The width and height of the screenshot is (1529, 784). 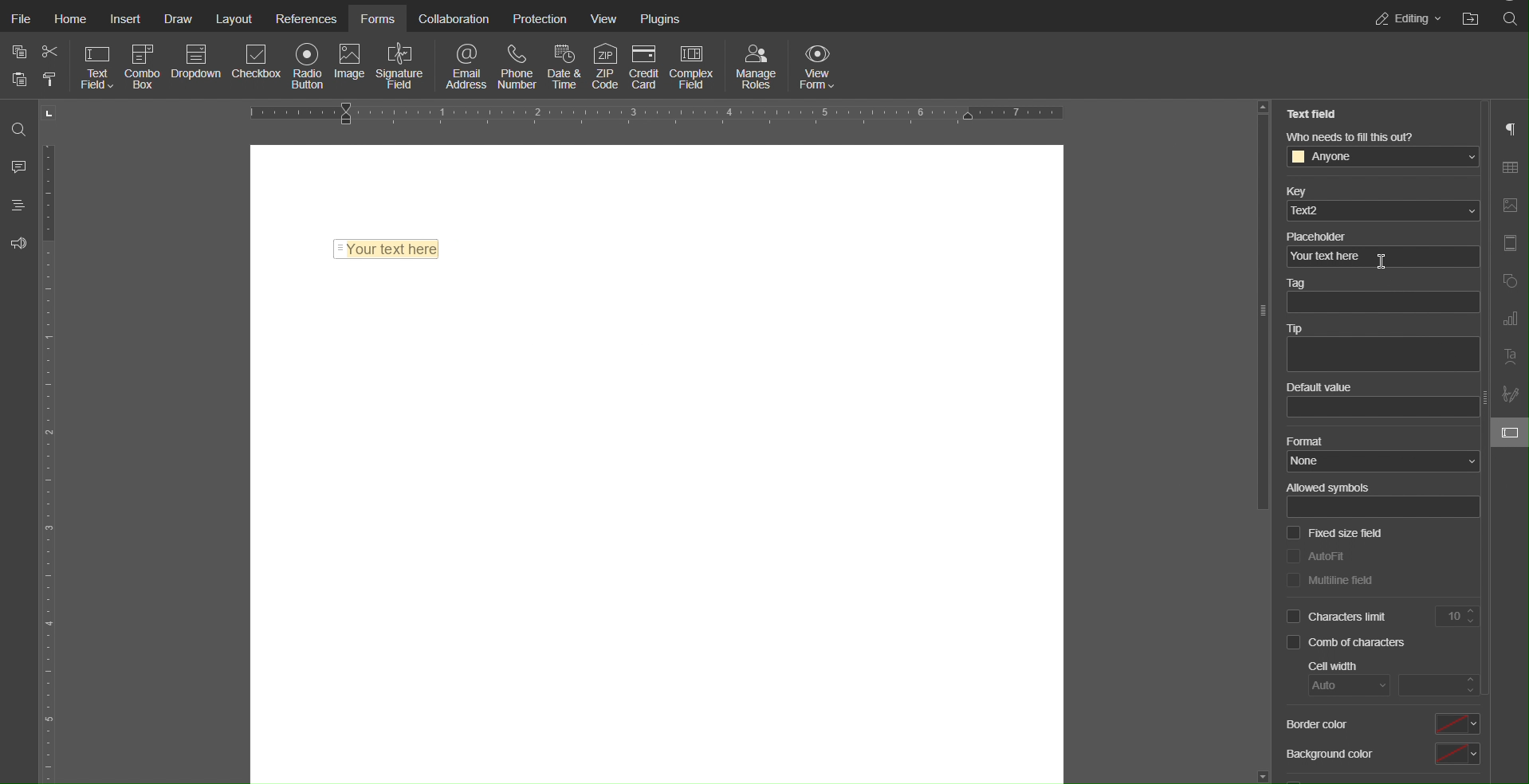 What do you see at coordinates (1459, 615) in the screenshot?
I see `Limit` at bounding box center [1459, 615].